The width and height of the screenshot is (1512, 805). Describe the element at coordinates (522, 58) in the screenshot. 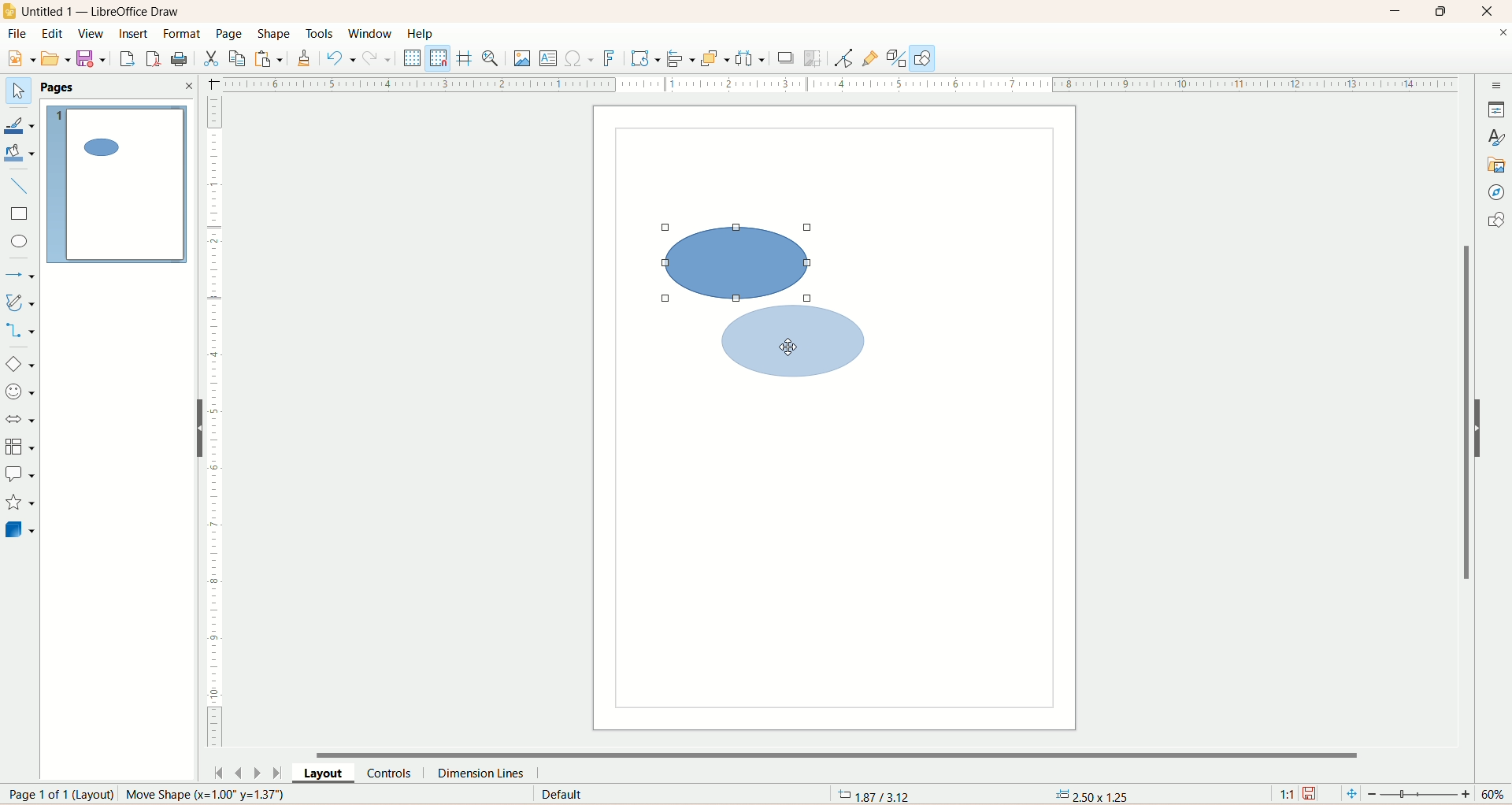

I see `` at that location.